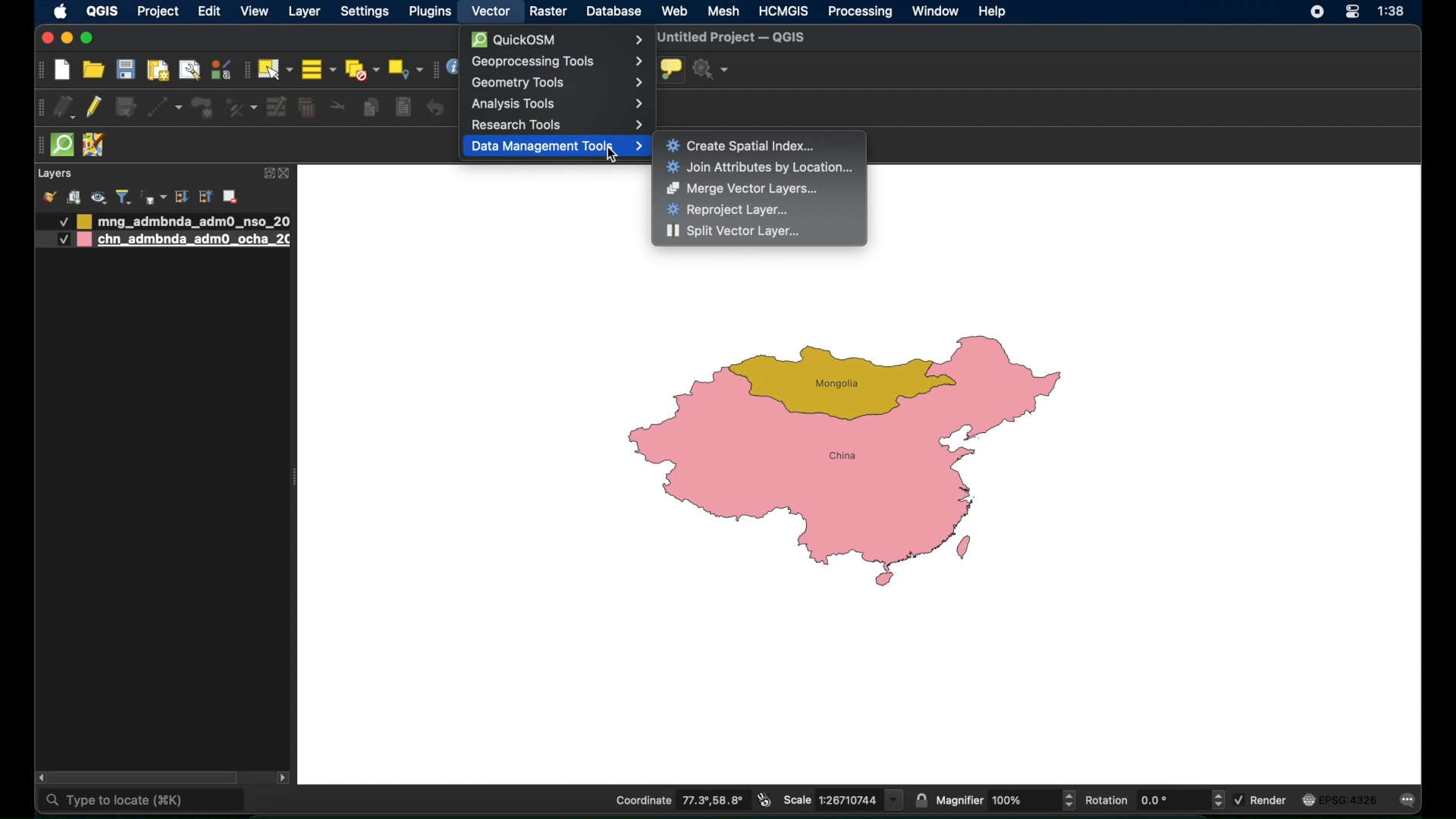 This screenshot has width=1456, height=819. Describe the element at coordinates (671, 69) in the screenshot. I see `show map tips` at that location.